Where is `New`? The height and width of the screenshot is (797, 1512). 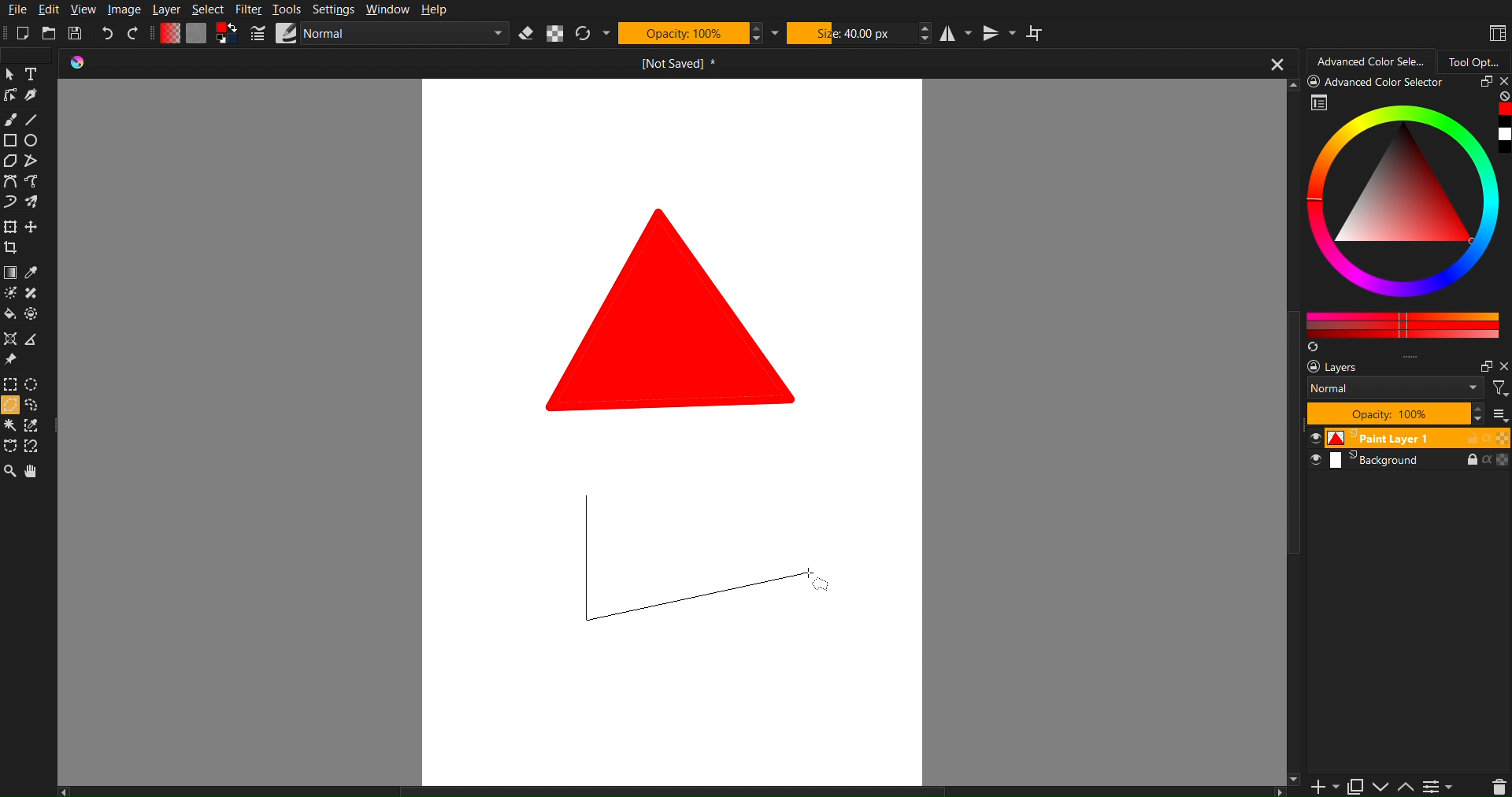
New is located at coordinates (22, 33).